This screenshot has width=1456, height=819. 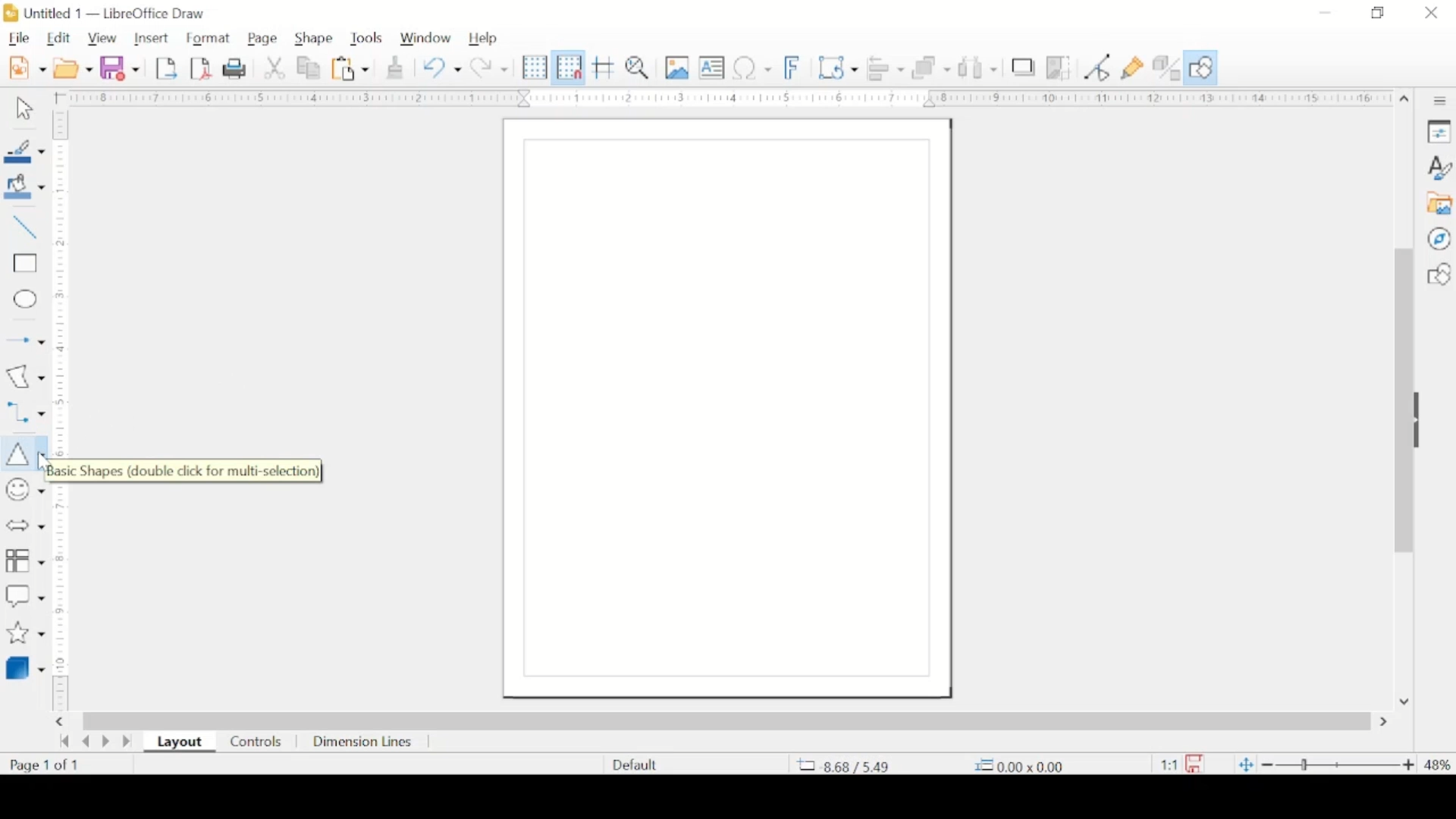 I want to click on edit, so click(x=58, y=39).